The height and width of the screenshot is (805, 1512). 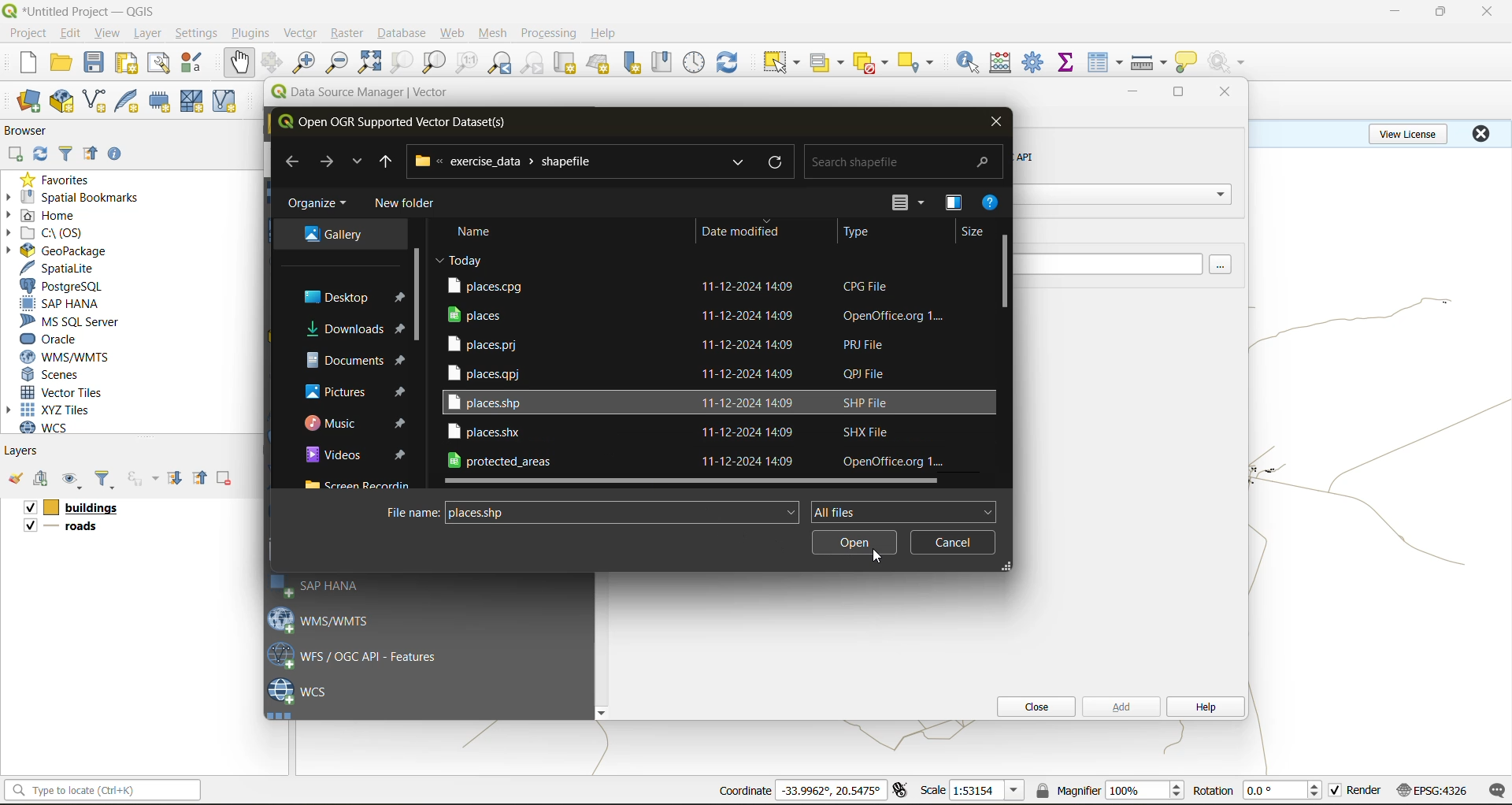 I want to click on magnifier, so click(x=1144, y=790).